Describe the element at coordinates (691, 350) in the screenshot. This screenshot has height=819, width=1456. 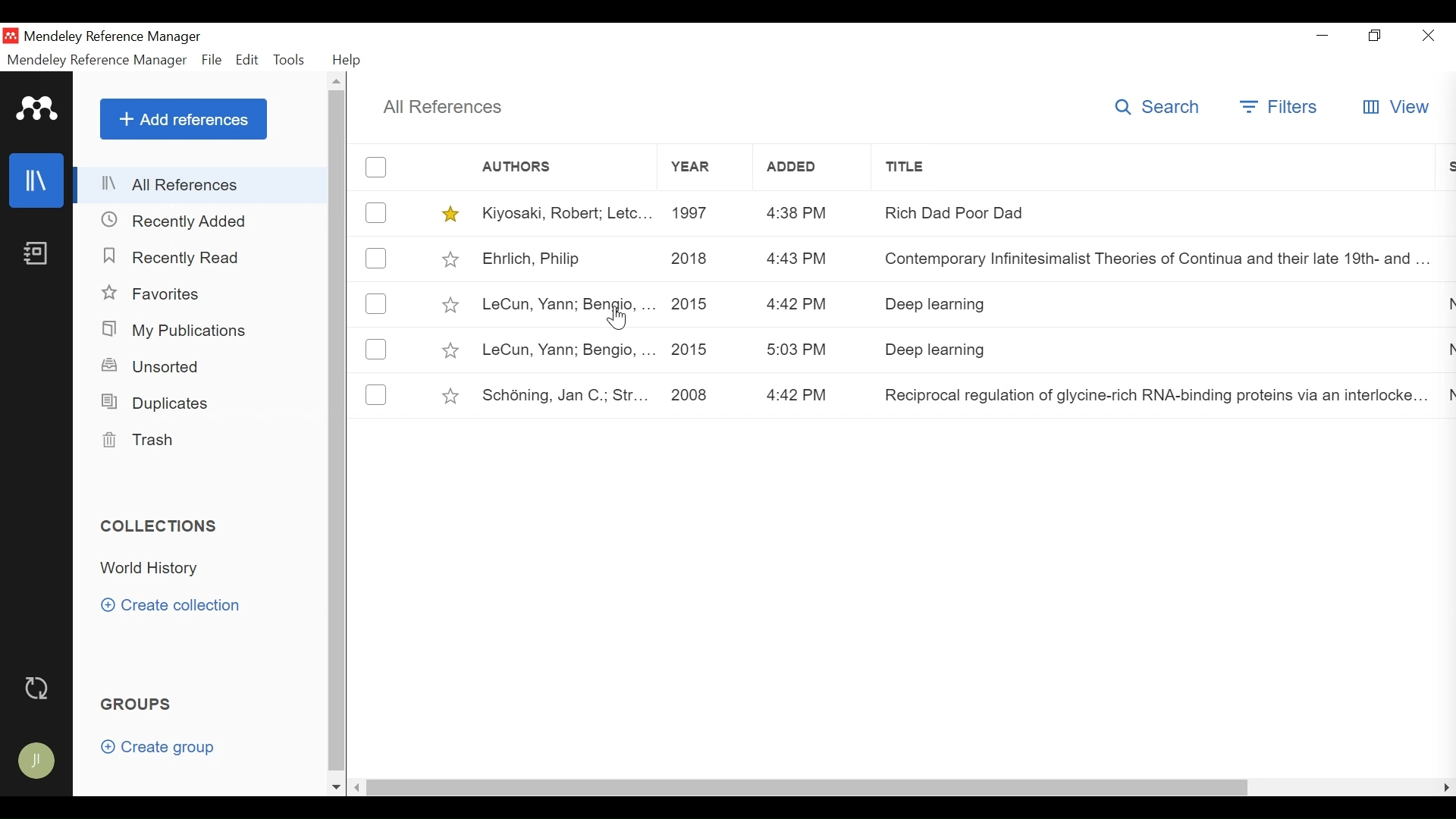
I see `2015` at that location.